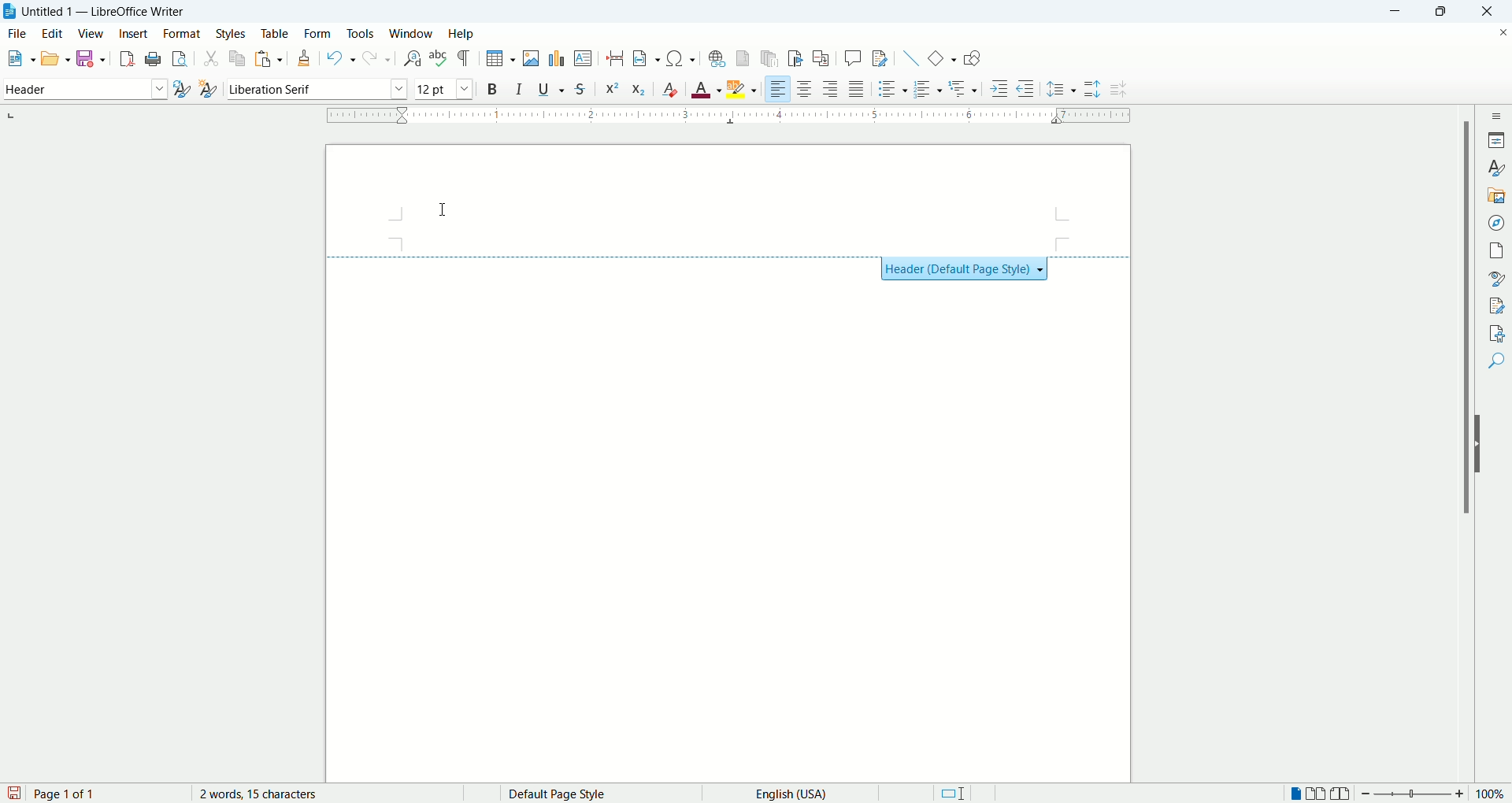 The image size is (1512, 803). I want to click on gallery, so click(1496, 196).